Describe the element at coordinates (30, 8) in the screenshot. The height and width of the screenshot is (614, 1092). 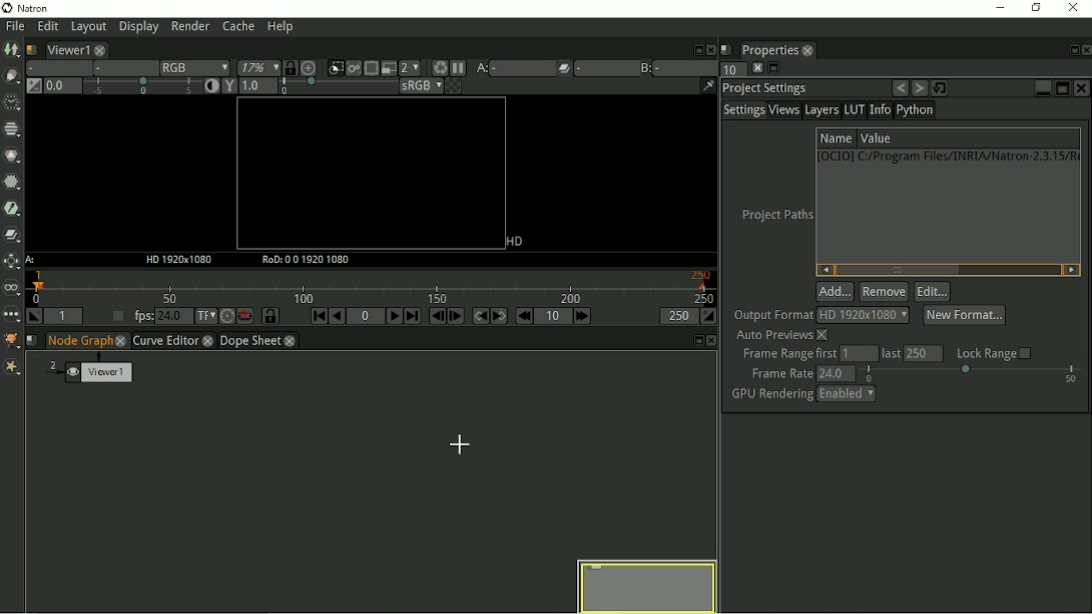
I see `Natron` at that location.